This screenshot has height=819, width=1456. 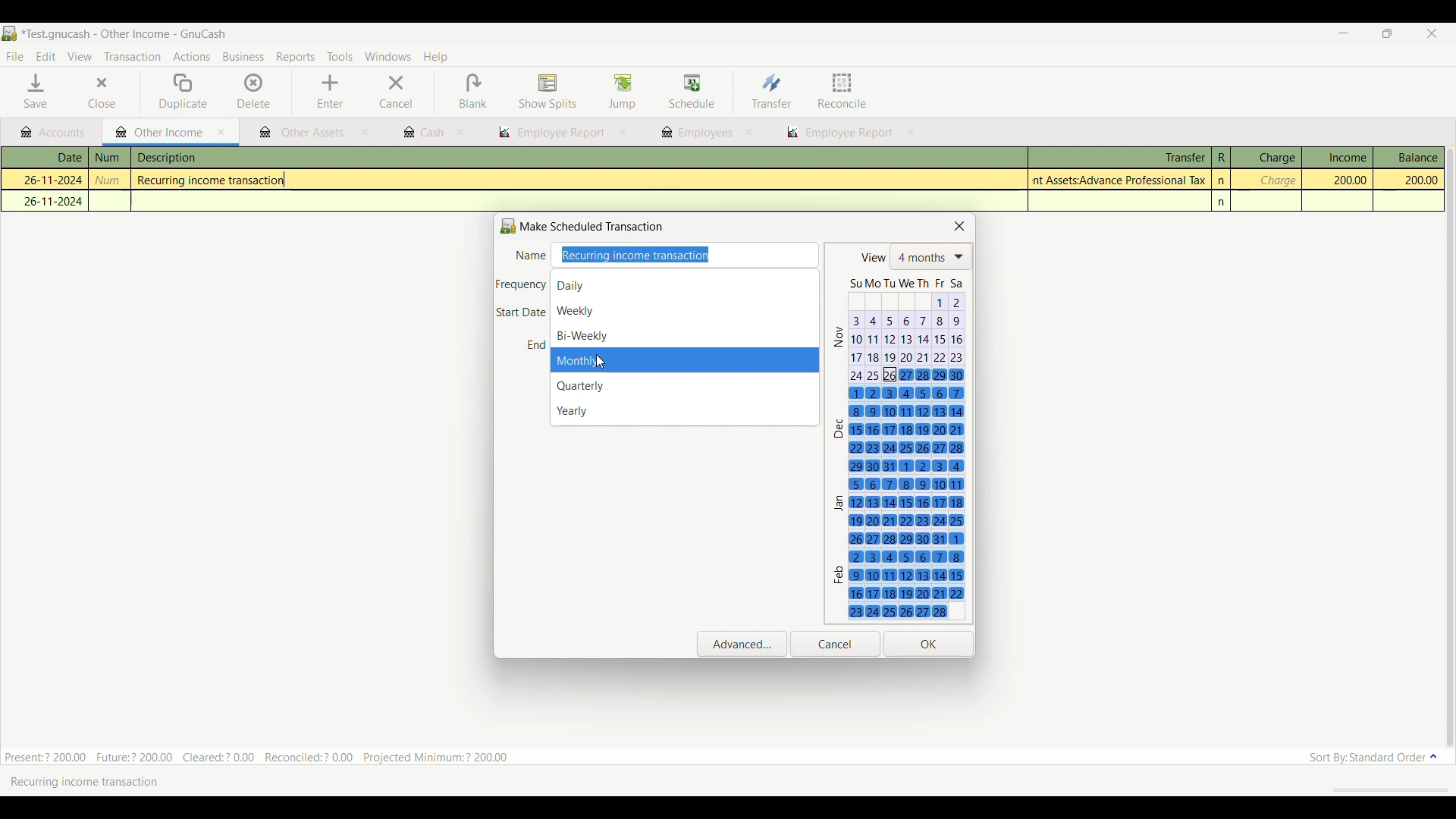 I want to click on Close, so click(x=91, y=93).